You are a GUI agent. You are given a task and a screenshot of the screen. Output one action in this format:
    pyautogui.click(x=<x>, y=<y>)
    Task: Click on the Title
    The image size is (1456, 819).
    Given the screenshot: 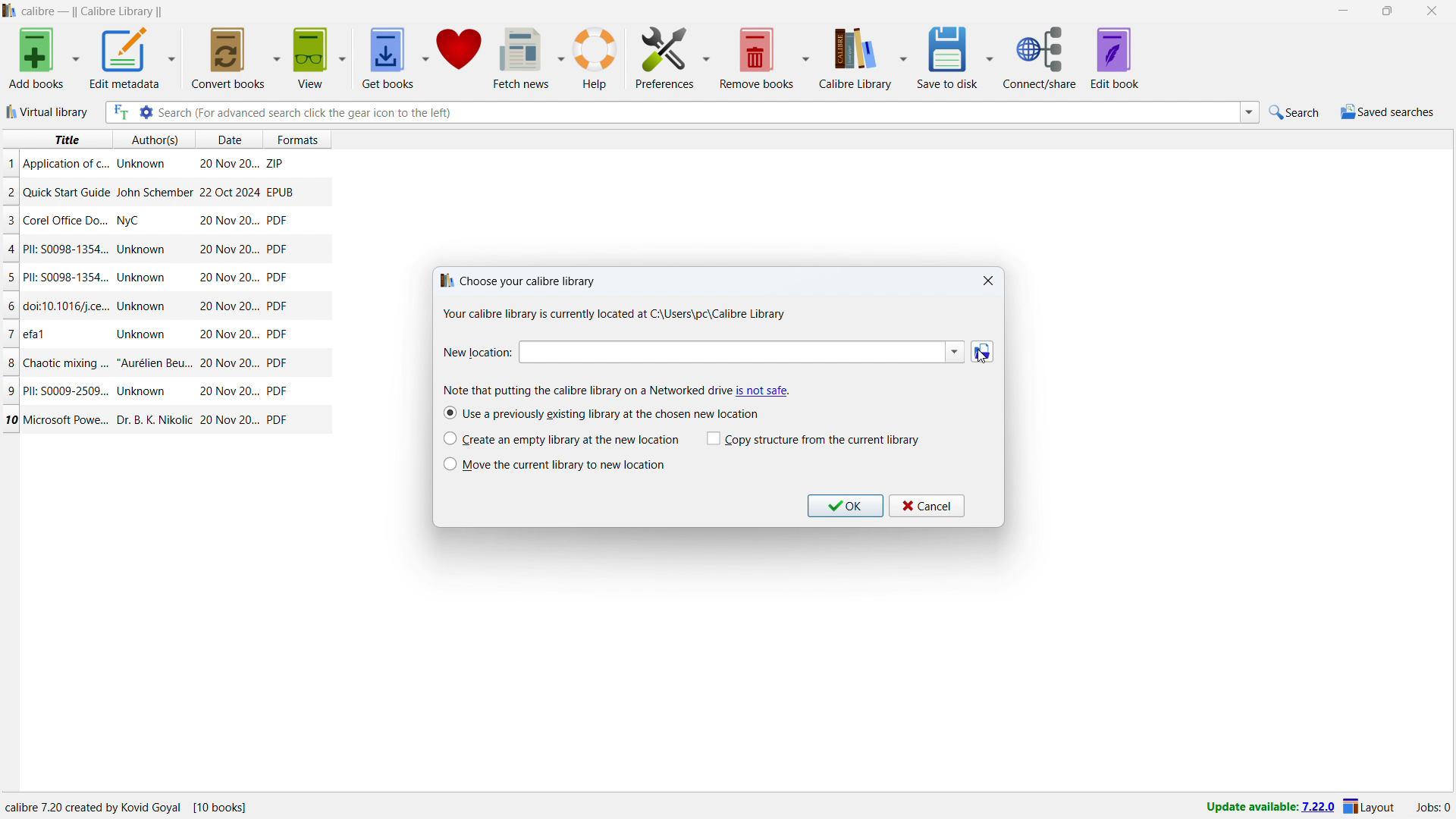 What is the action you would take?
    pyautogui.click(x=64, y=390)
    